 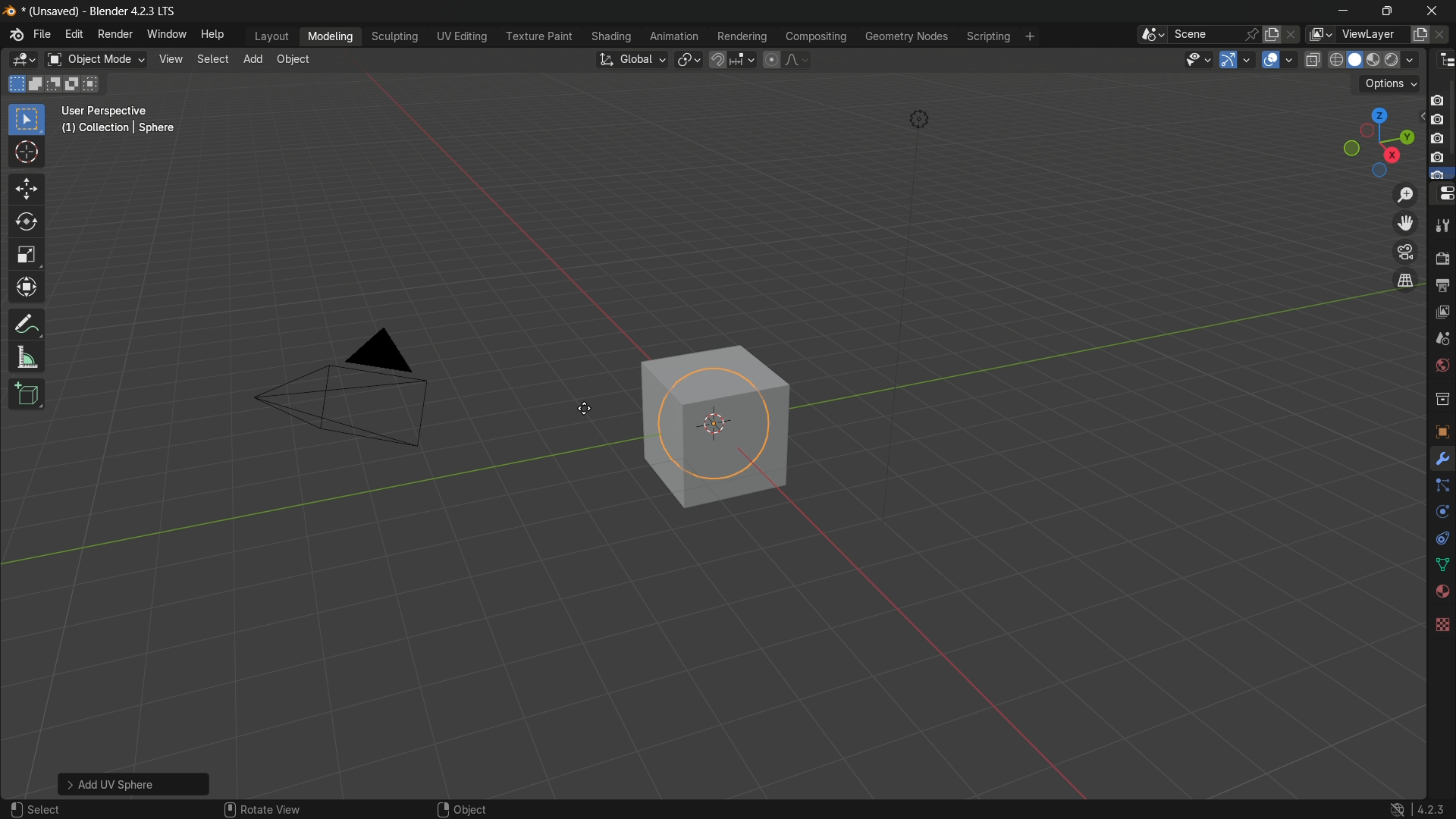 What do you see at coordinates (36, 810) in the screenshot?
I see `select` at bounding box center [36, 810].